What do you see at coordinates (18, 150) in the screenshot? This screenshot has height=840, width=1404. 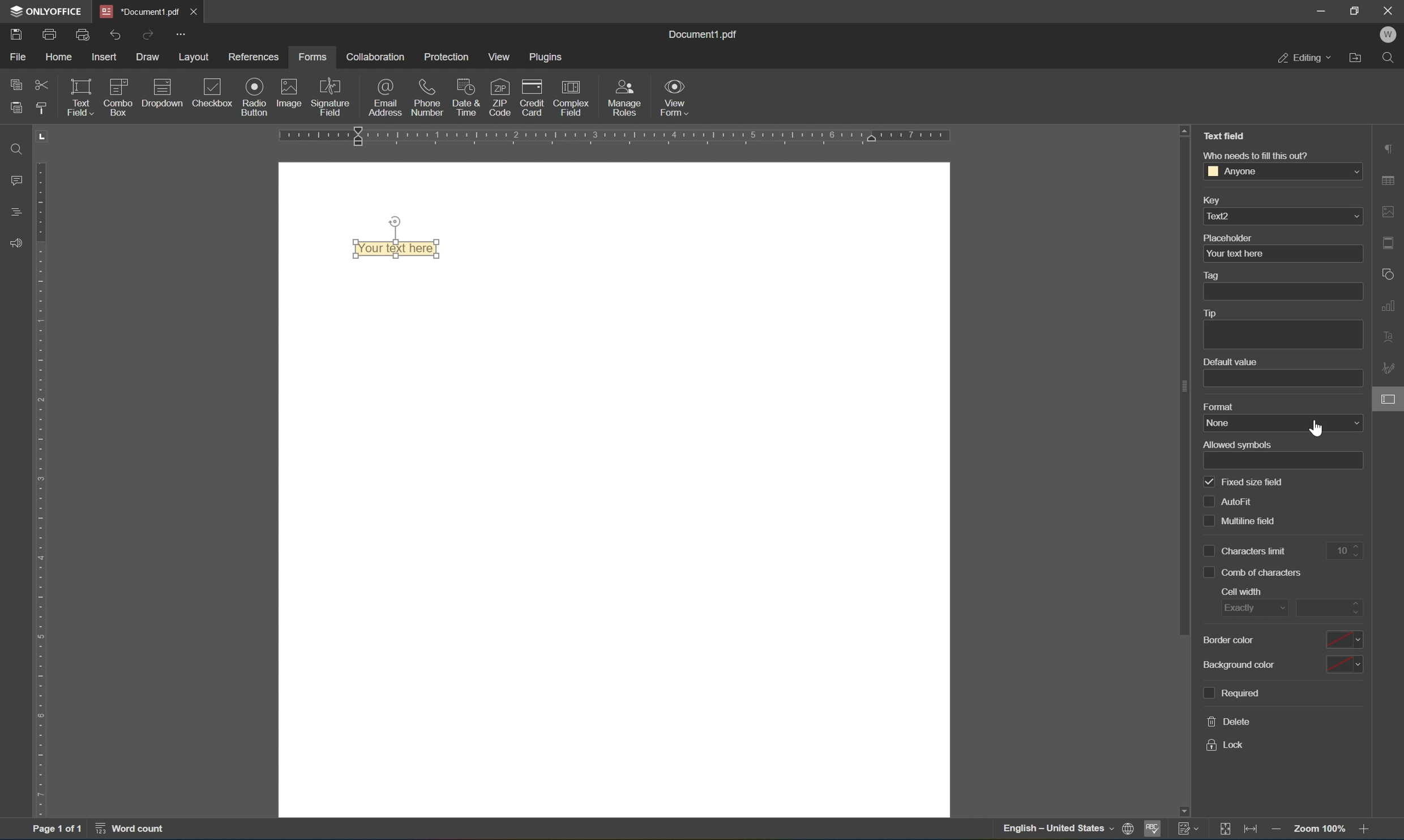 I see `Find` at bounding box center [18, 150].